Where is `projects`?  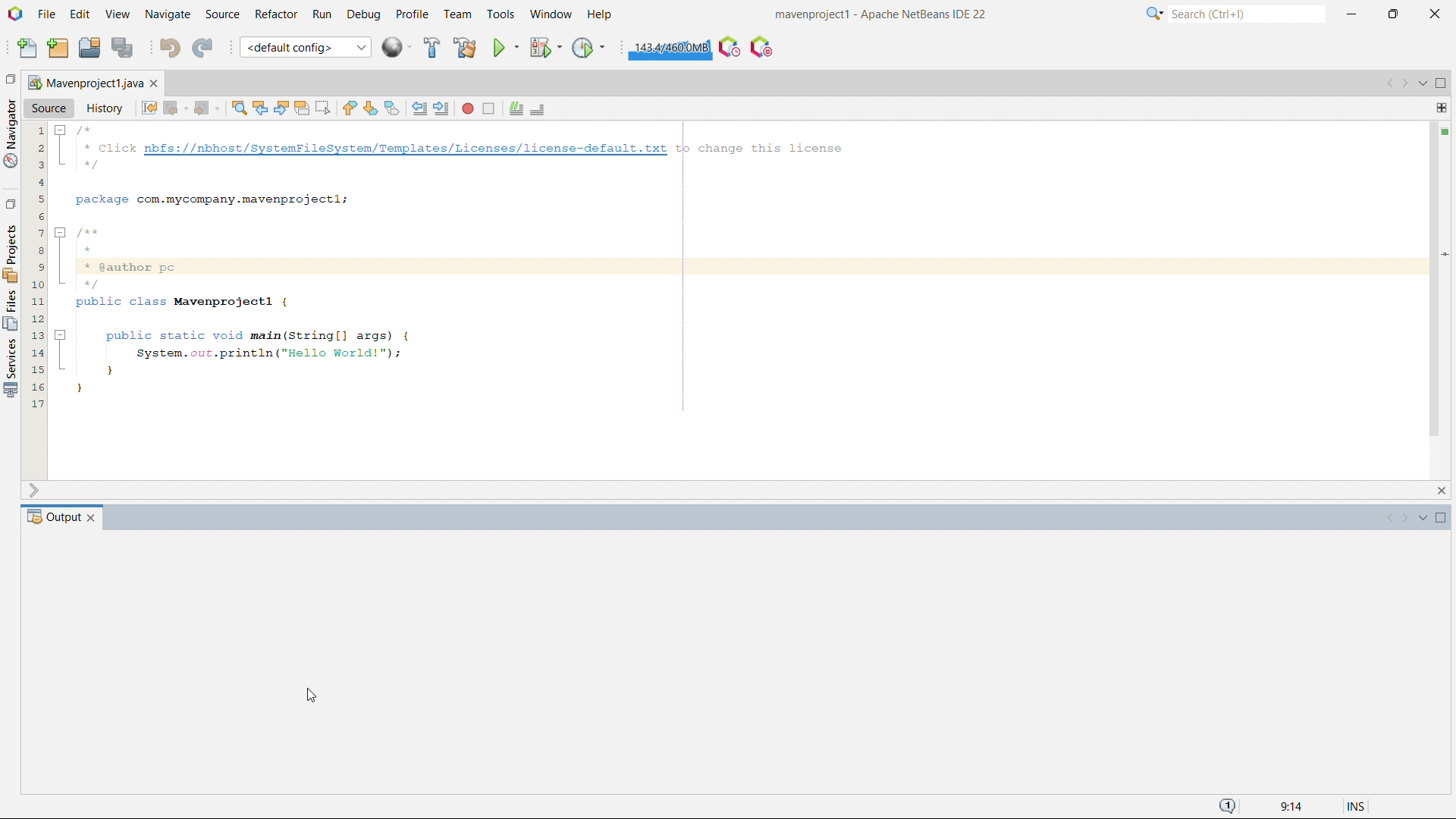 projects is located at coordinates (11, 369).